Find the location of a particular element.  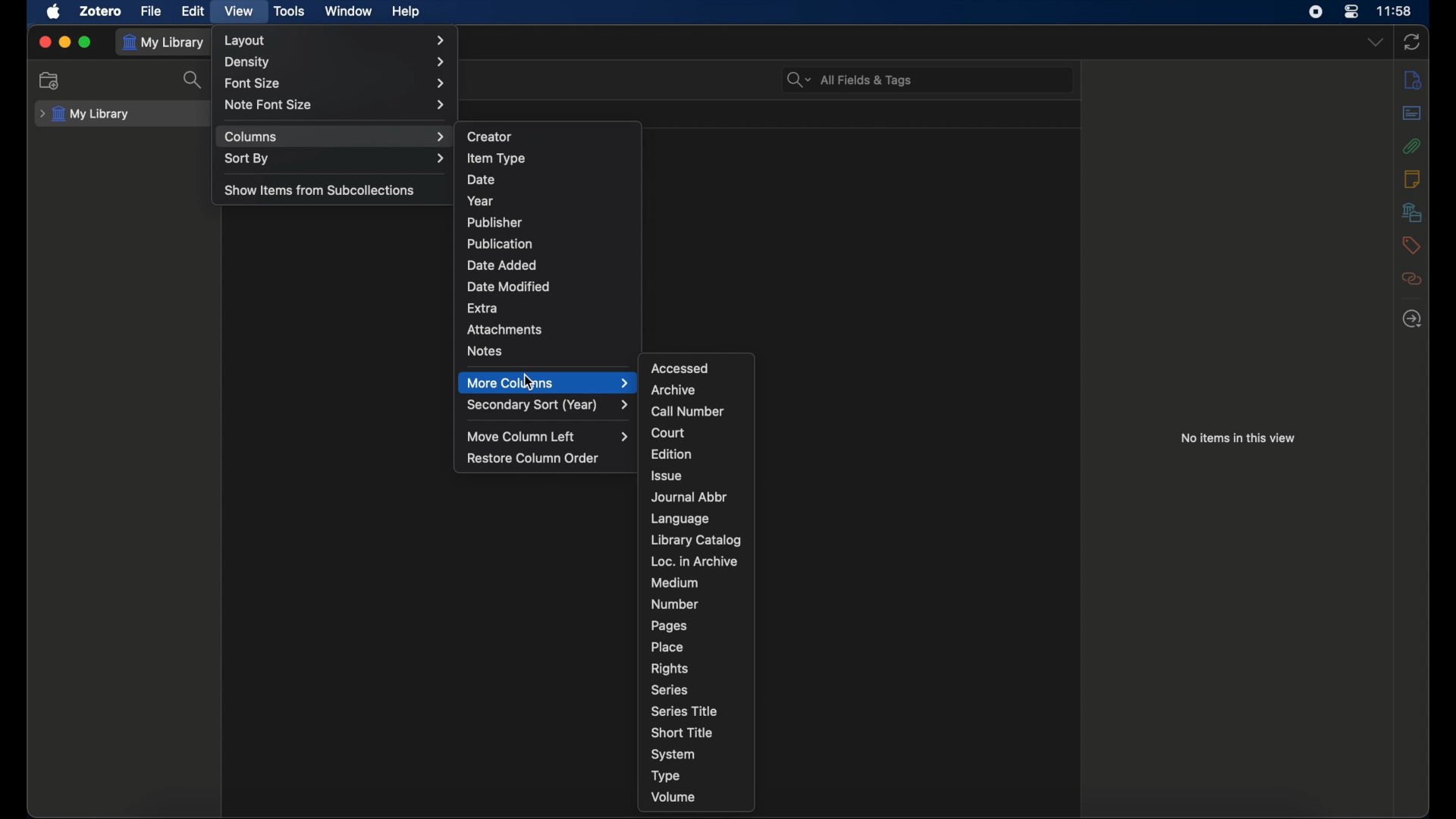

issue is located at coordinates (667, 476).